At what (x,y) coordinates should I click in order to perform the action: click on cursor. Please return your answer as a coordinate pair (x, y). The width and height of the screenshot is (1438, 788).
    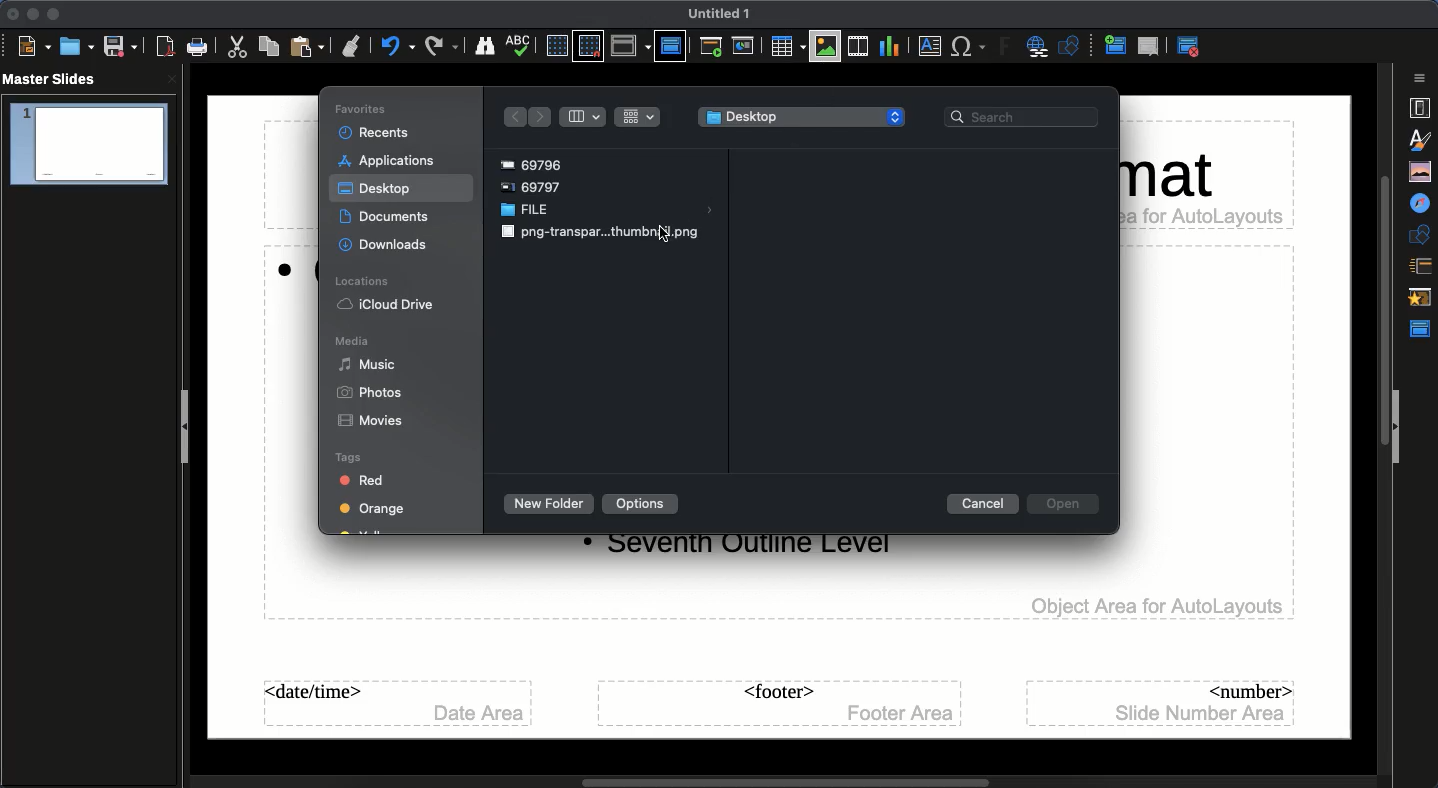
    Looking at the image, I should click on (670, 240).